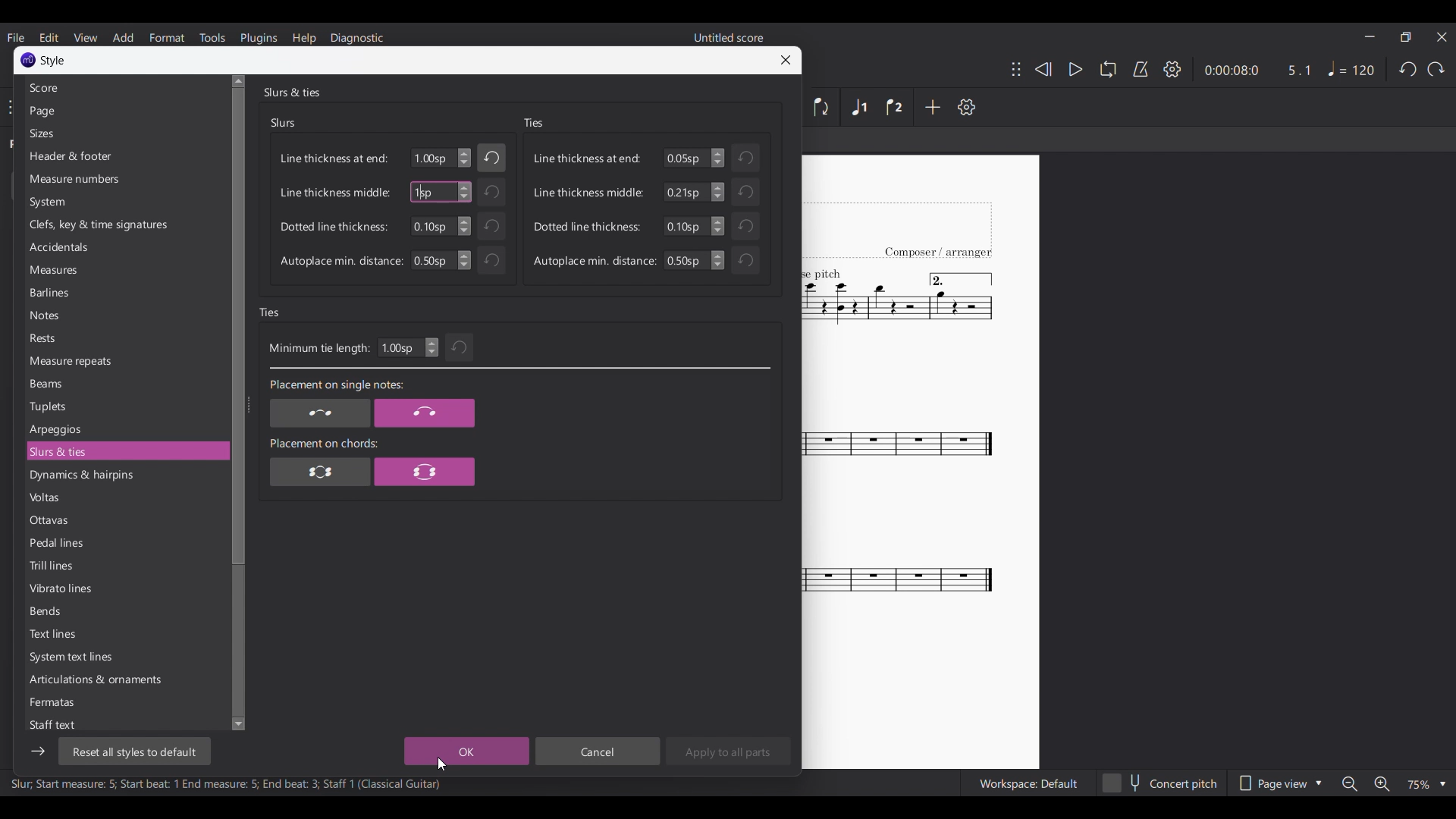 The image size is (1456, 819). Describe the element at coordinates (425, 471) in the screenshot. I see `Placement on chords option 2` at that location.